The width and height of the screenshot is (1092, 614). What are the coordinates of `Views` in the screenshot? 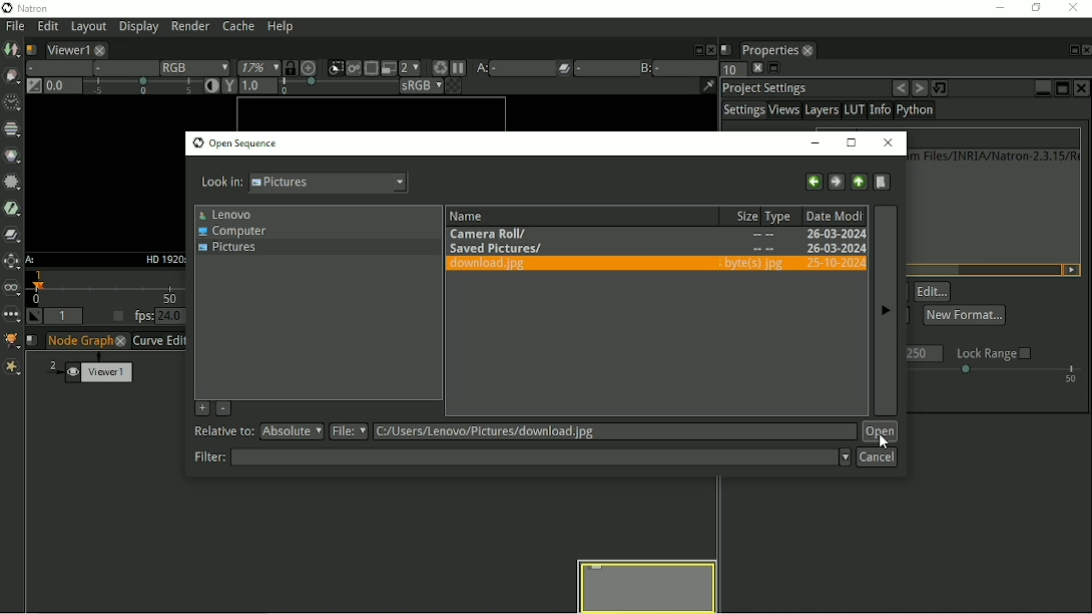 It's located at (785, 112).